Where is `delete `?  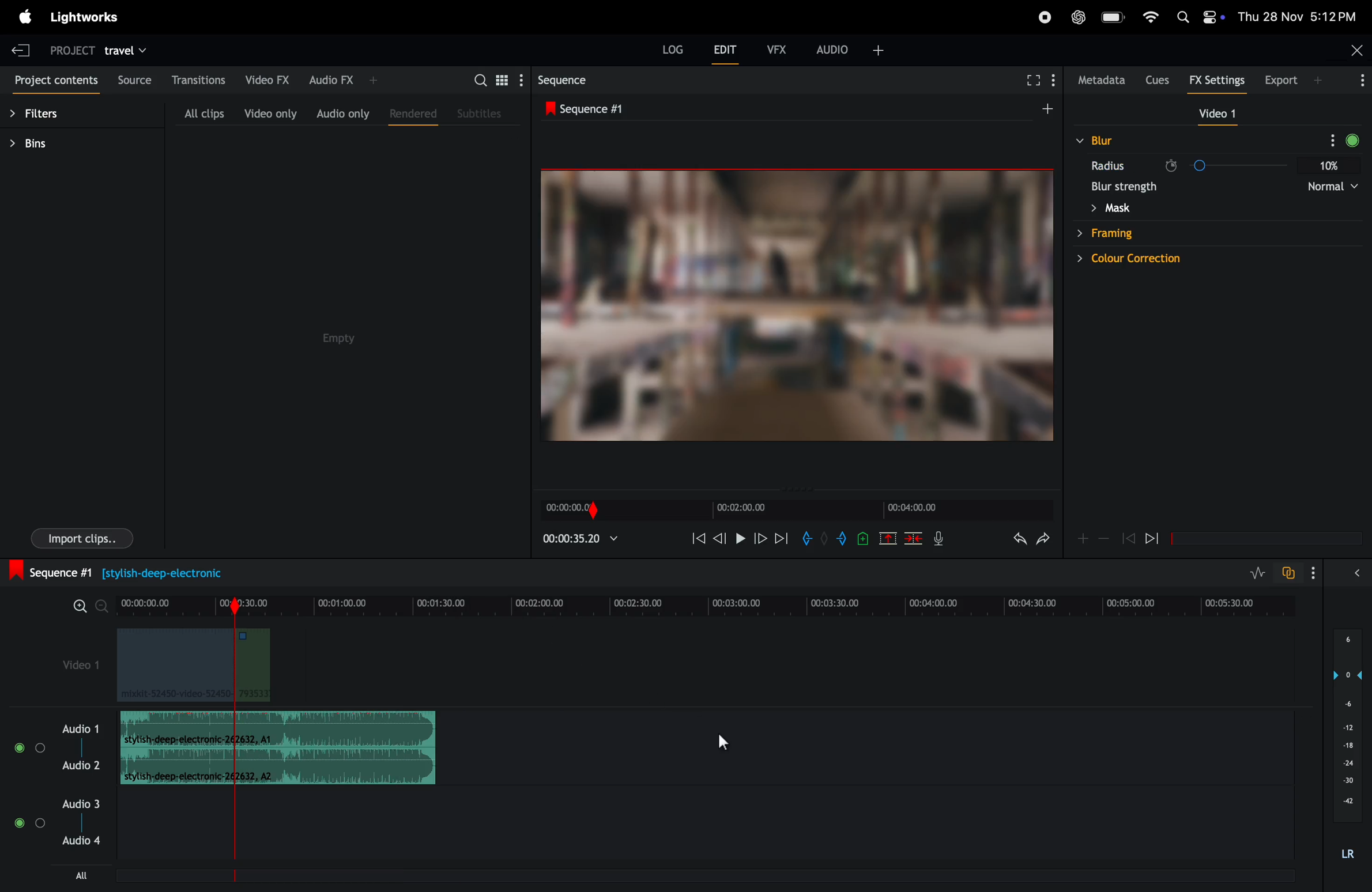
delete  is located at coordinates (914, 541).